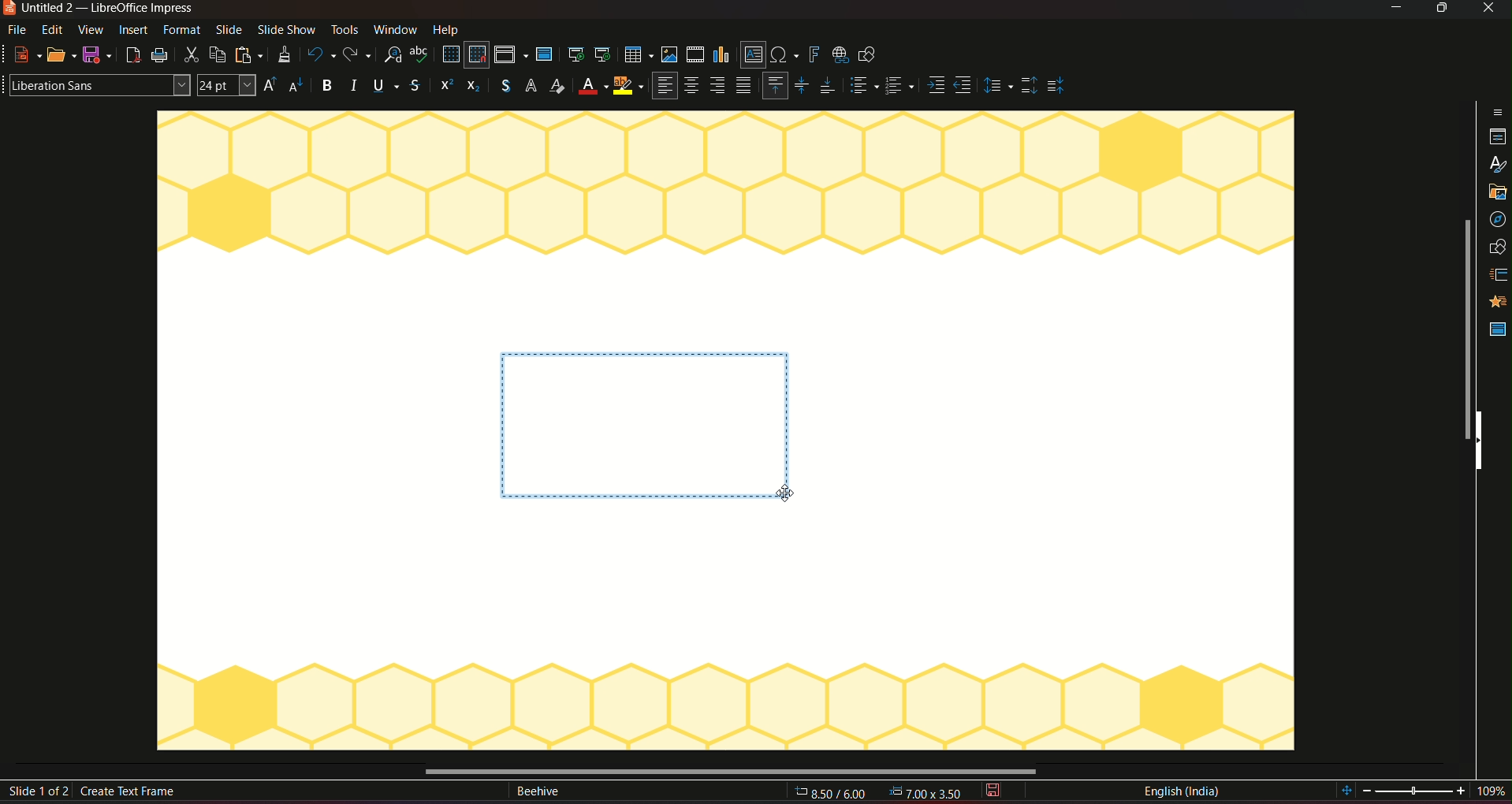 The image size is (1512, 804). Describe the element at coordinates (273, 85) in the screenshot. I see `size increase` at that location.